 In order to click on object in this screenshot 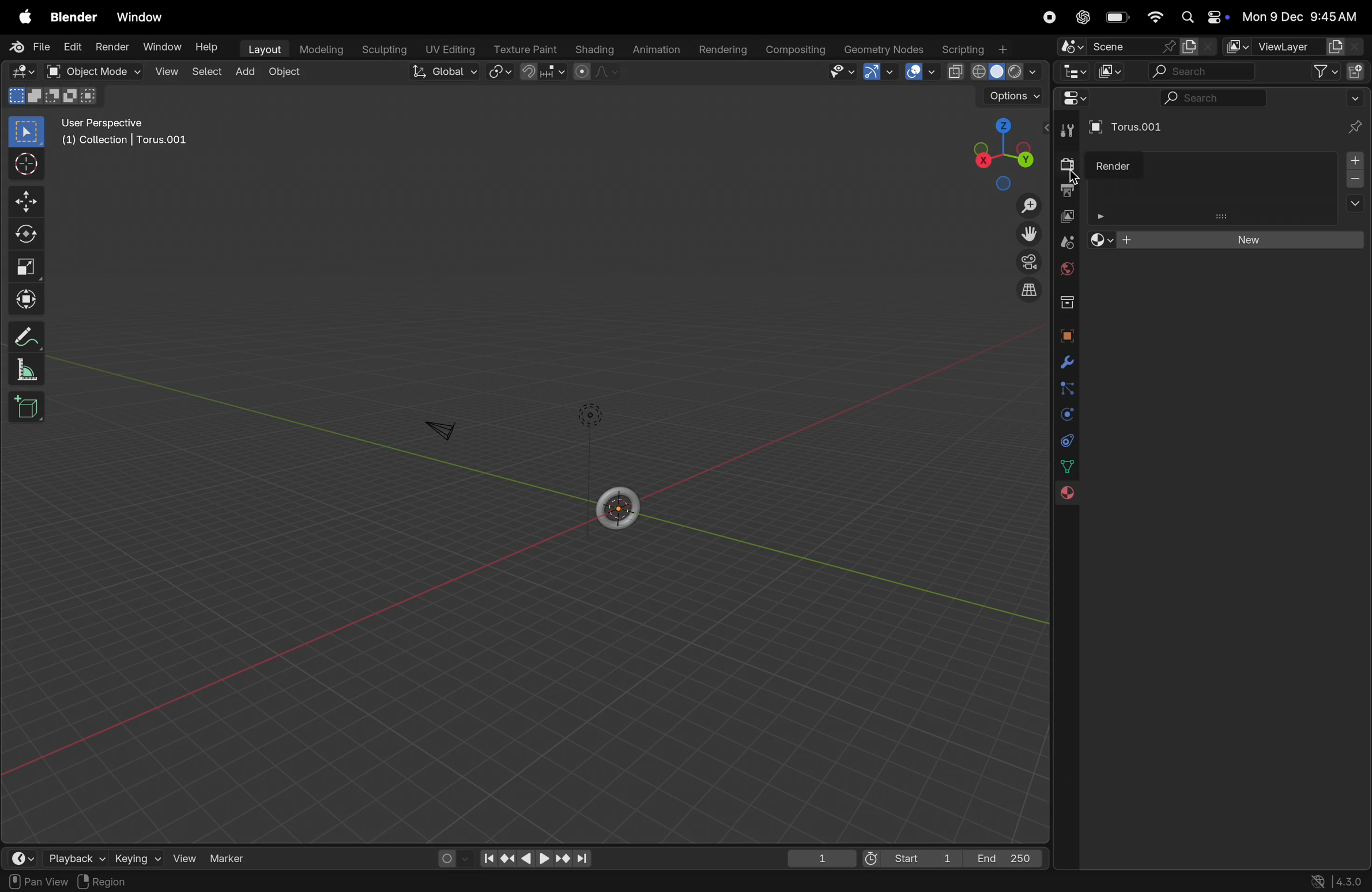, I will do `click(288, 71)`.